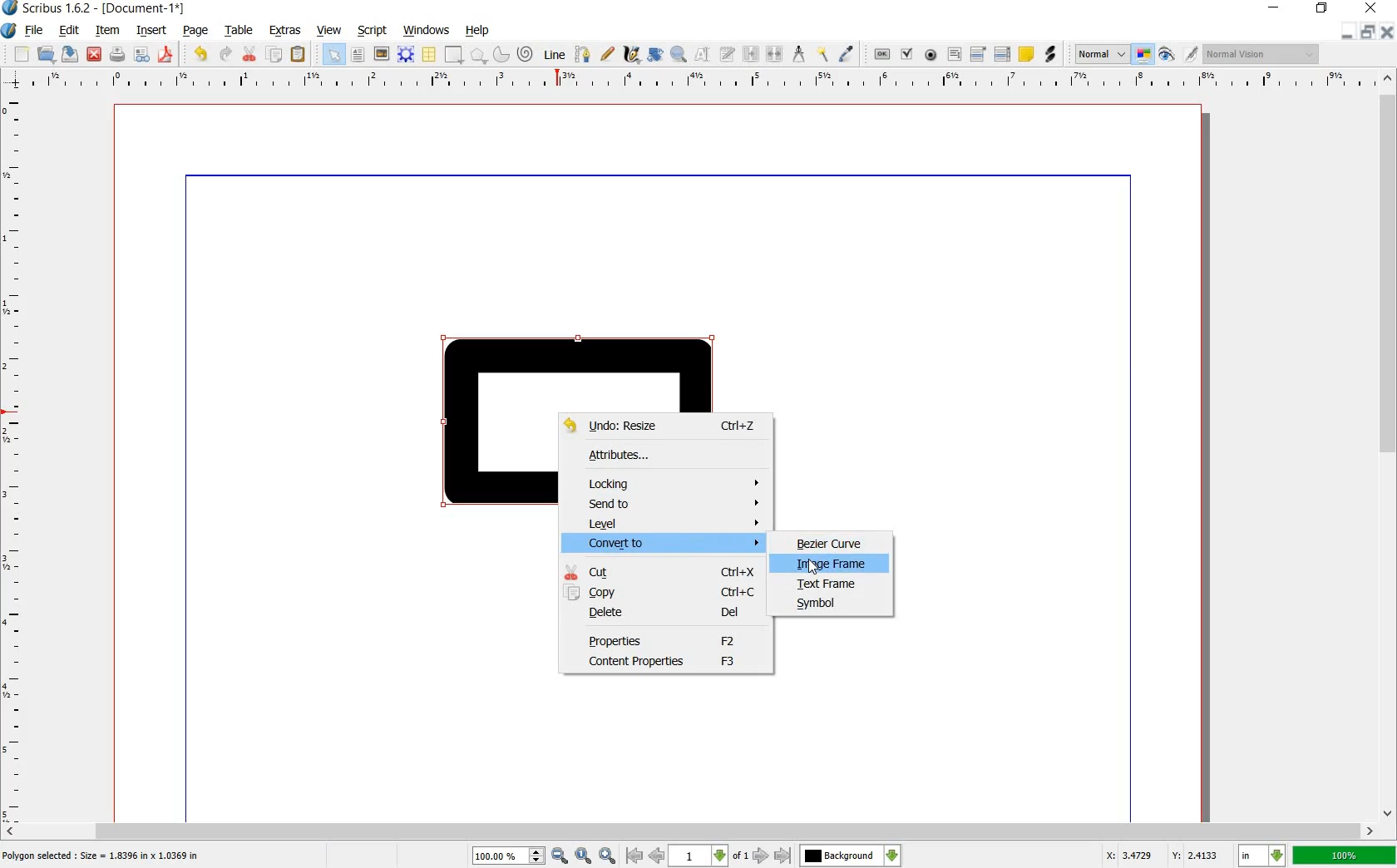 The width and height of the screenshot is (1397, 868). What do you see at coordinates (585, 855) in the screenshot?
I see `Zoom to` at bounding box center [585, 855].